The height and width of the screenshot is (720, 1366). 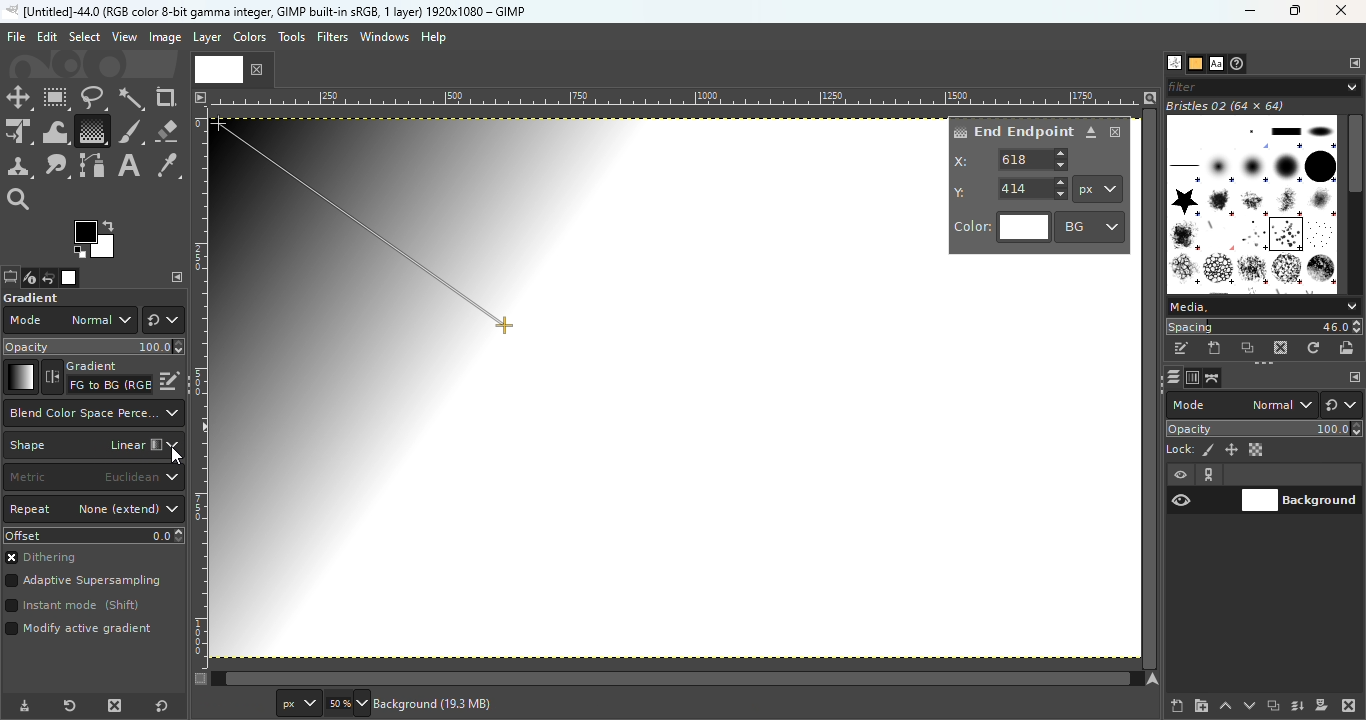 I want to click on Lock position and size, so click(x=1230, y=449).